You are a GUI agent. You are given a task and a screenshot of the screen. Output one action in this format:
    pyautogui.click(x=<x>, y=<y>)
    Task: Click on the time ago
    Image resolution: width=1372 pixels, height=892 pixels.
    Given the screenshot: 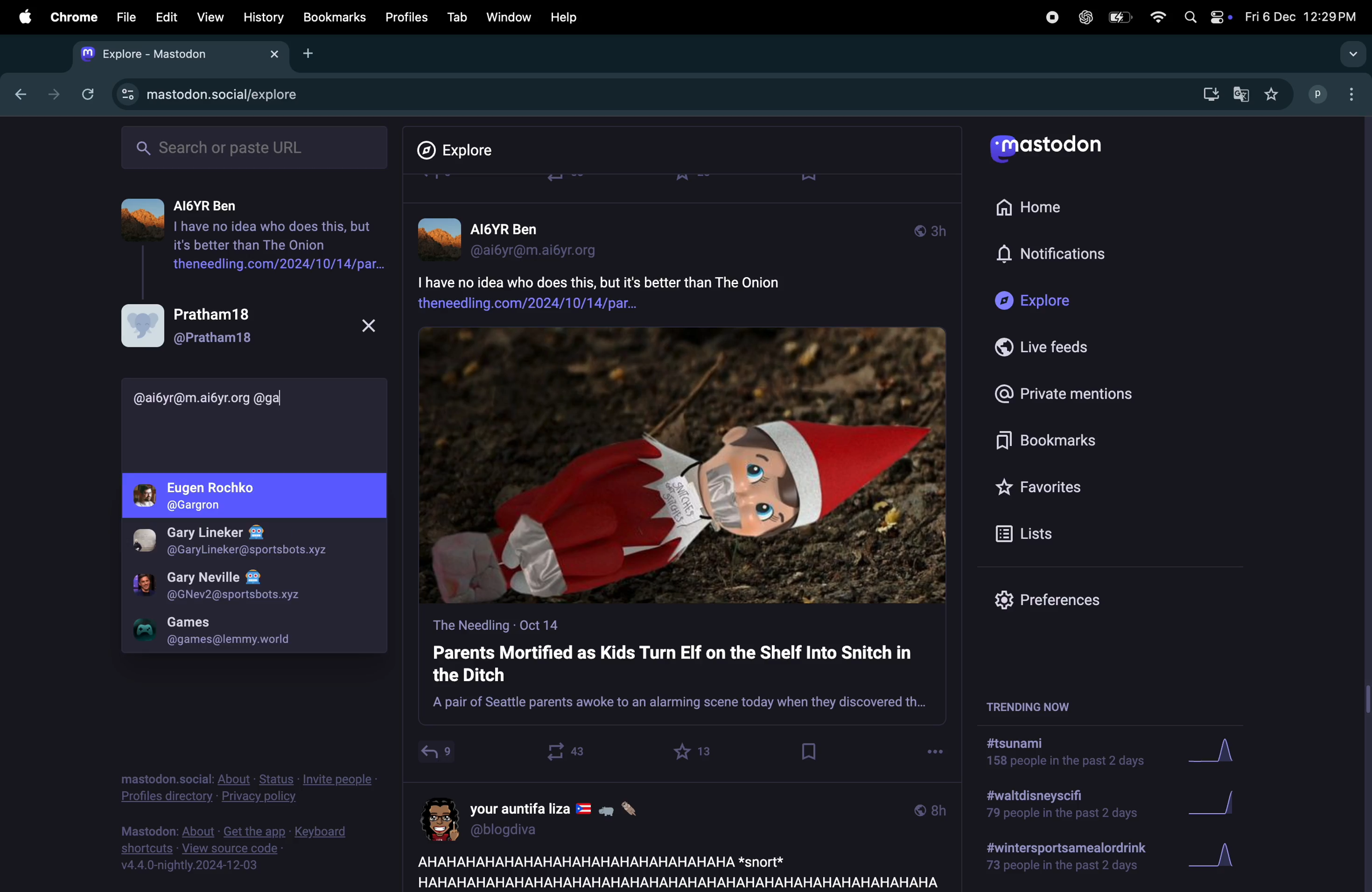 What is the action you would take?
    pyautogui.click(x=930, y=229)
    